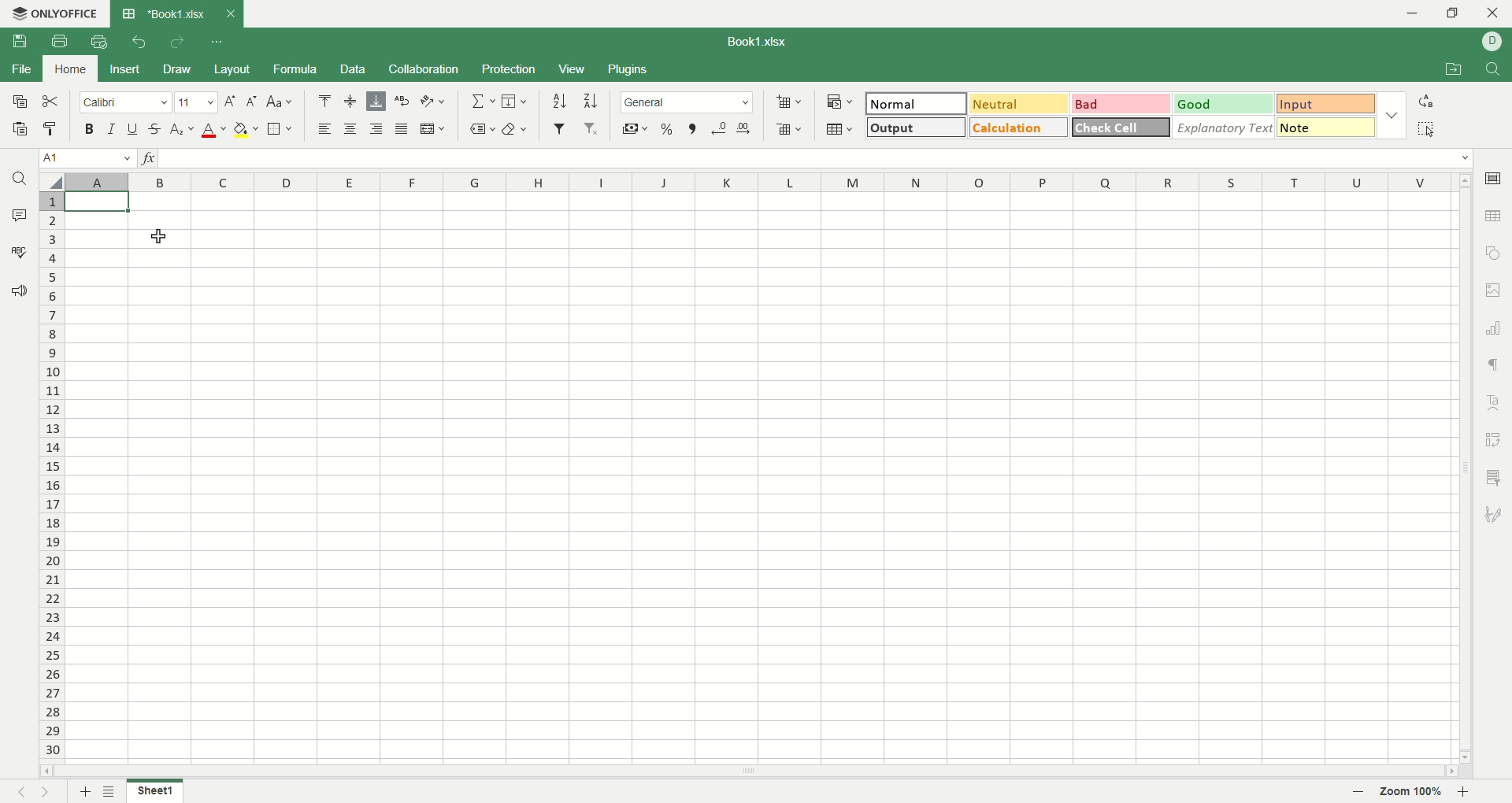 The height and width of the screenshot is (803, 1512). I want to click on sort ascending, so click(561, 101).